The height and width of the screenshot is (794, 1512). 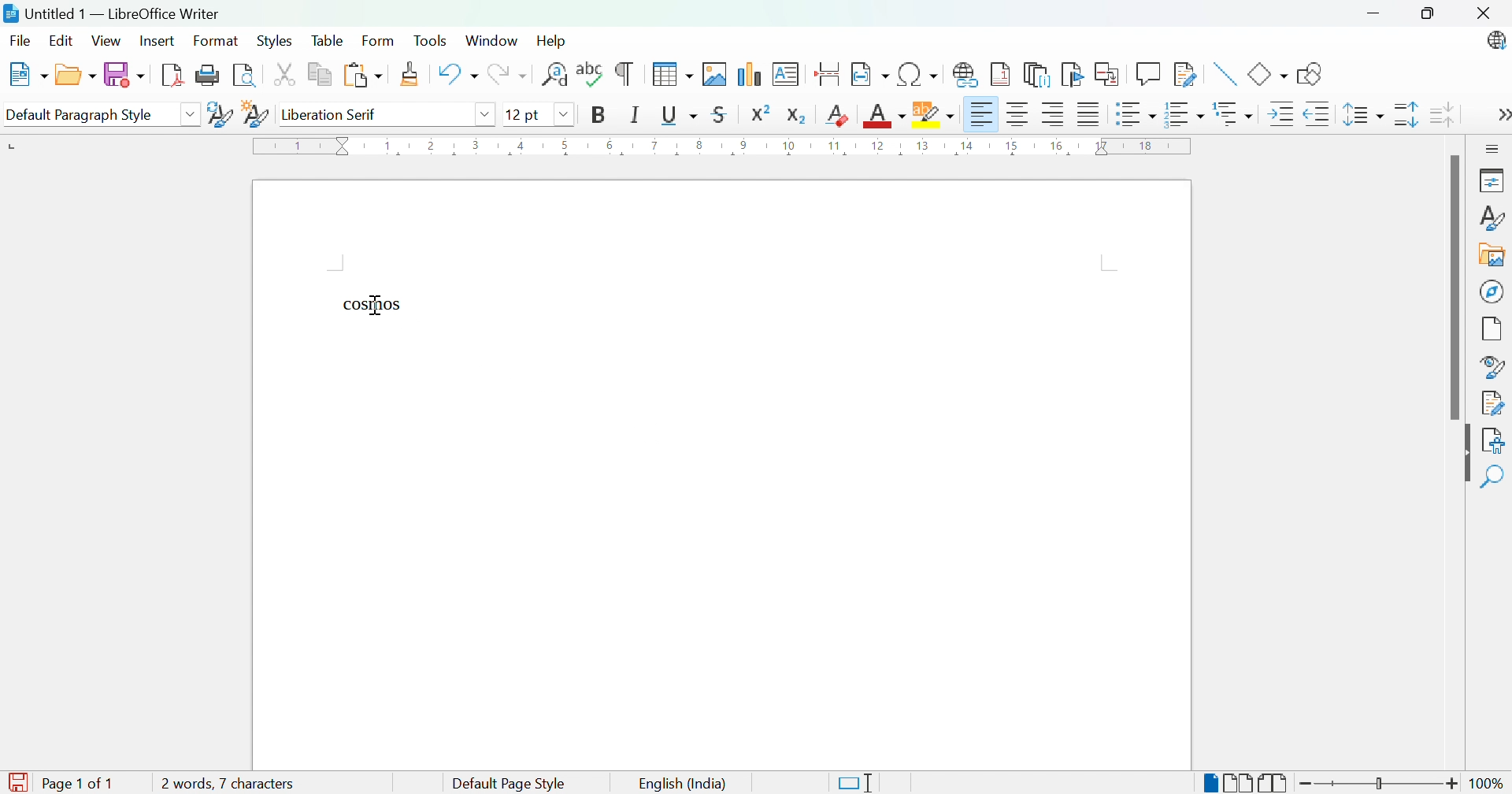 I want to click on Strikethrough, so click(x=721, y=114).